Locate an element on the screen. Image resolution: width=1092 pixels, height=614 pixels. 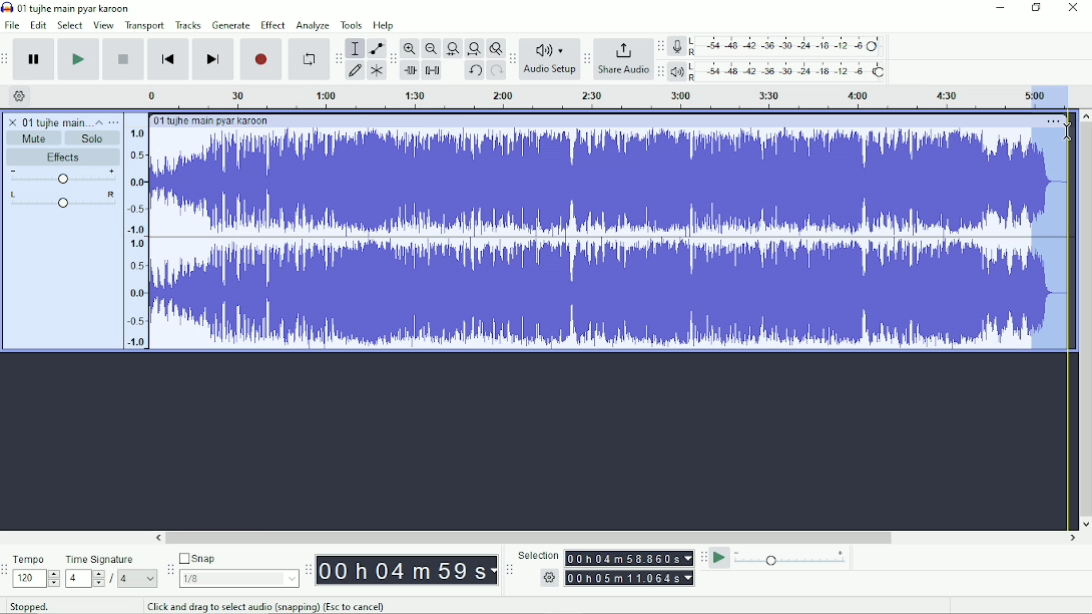
Play is located at coordinates (78, 59).